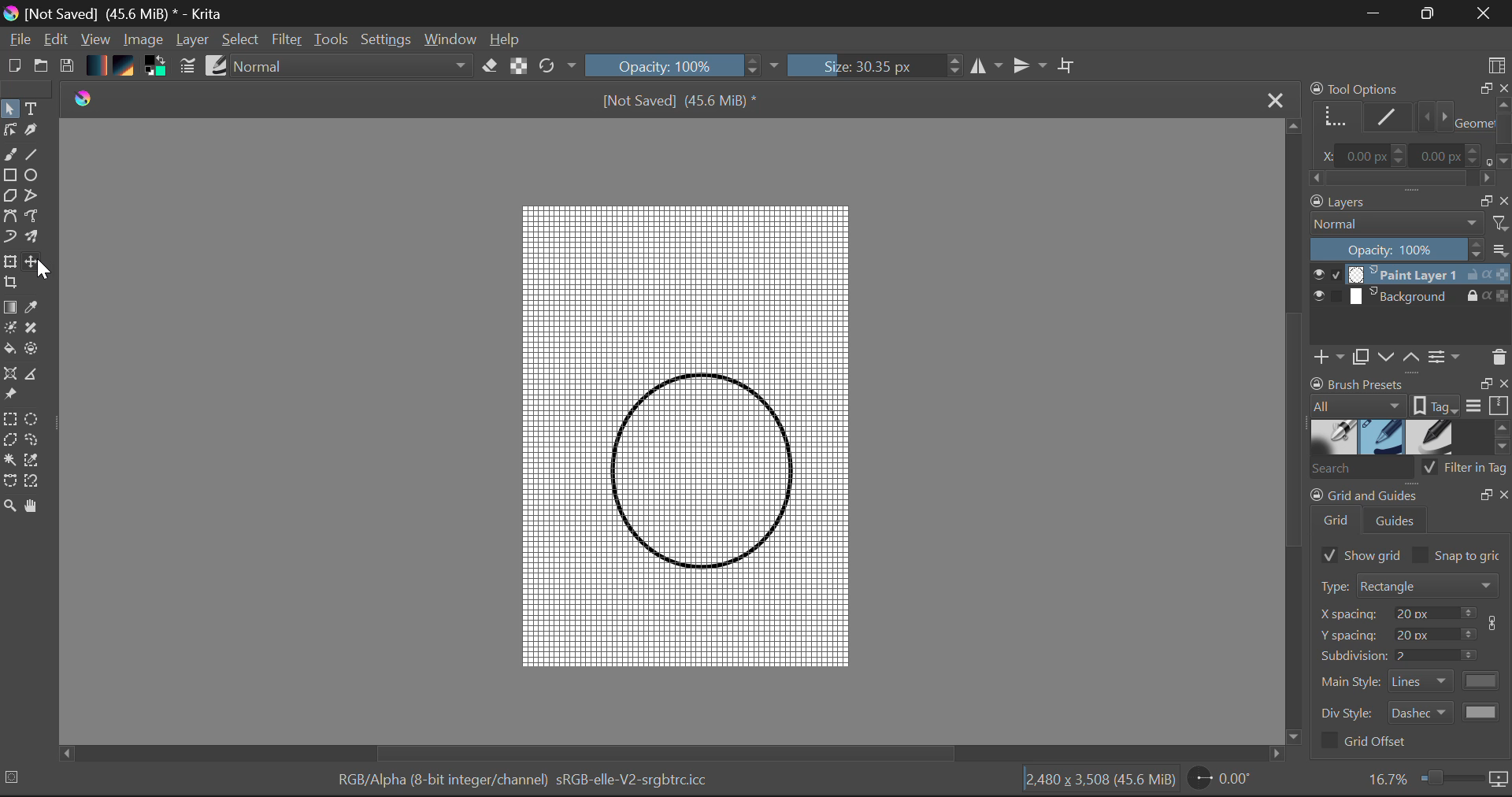 The width and height of the screenshot is (1512, 797). Describe the element at coordinates (677, 443) in the screenshot. I see `Grid Added In` at that location.